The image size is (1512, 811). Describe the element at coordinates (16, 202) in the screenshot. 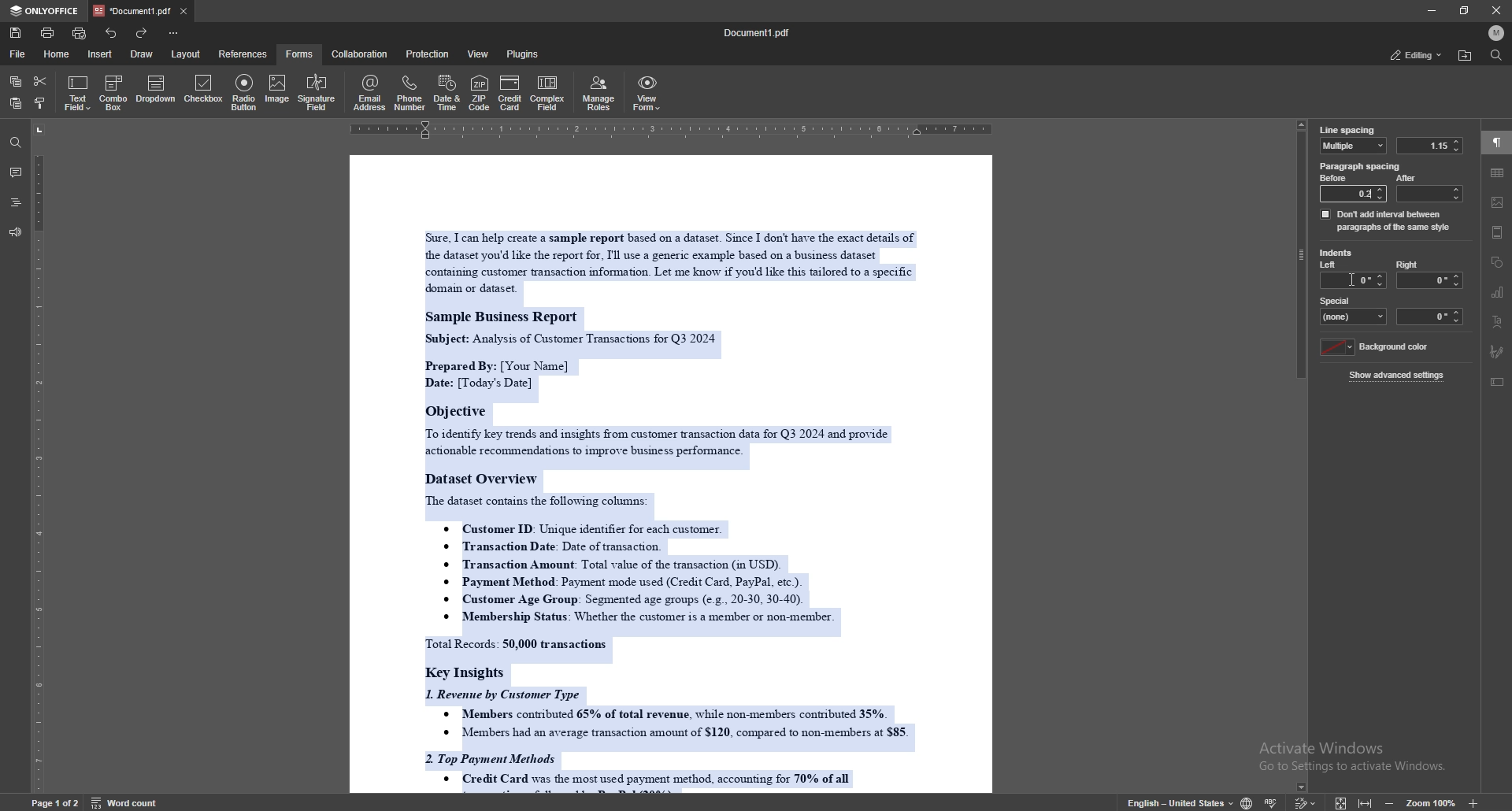

I see `headings` at that location.